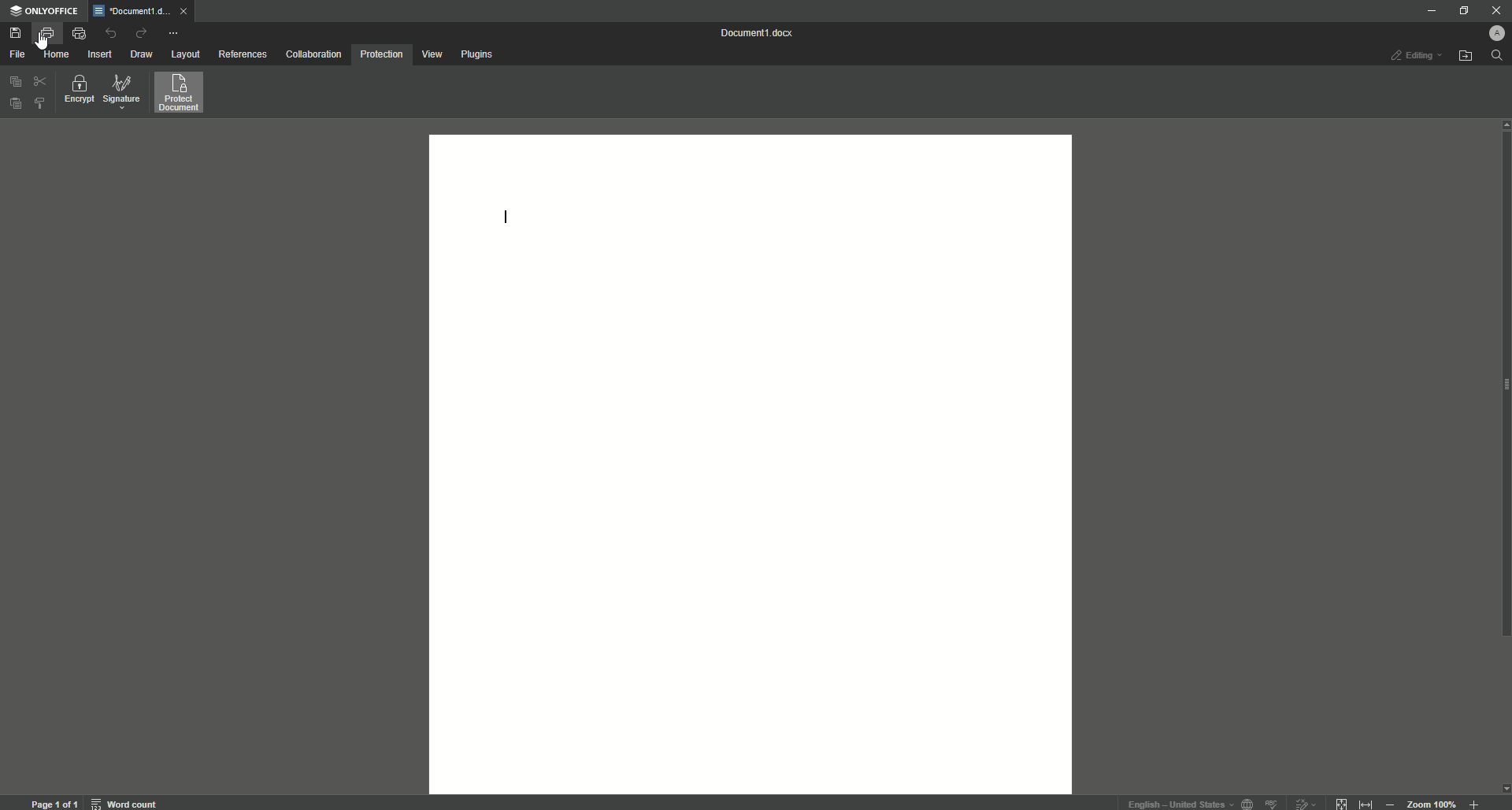  I want to click on Minimize, so click(1427, 10).